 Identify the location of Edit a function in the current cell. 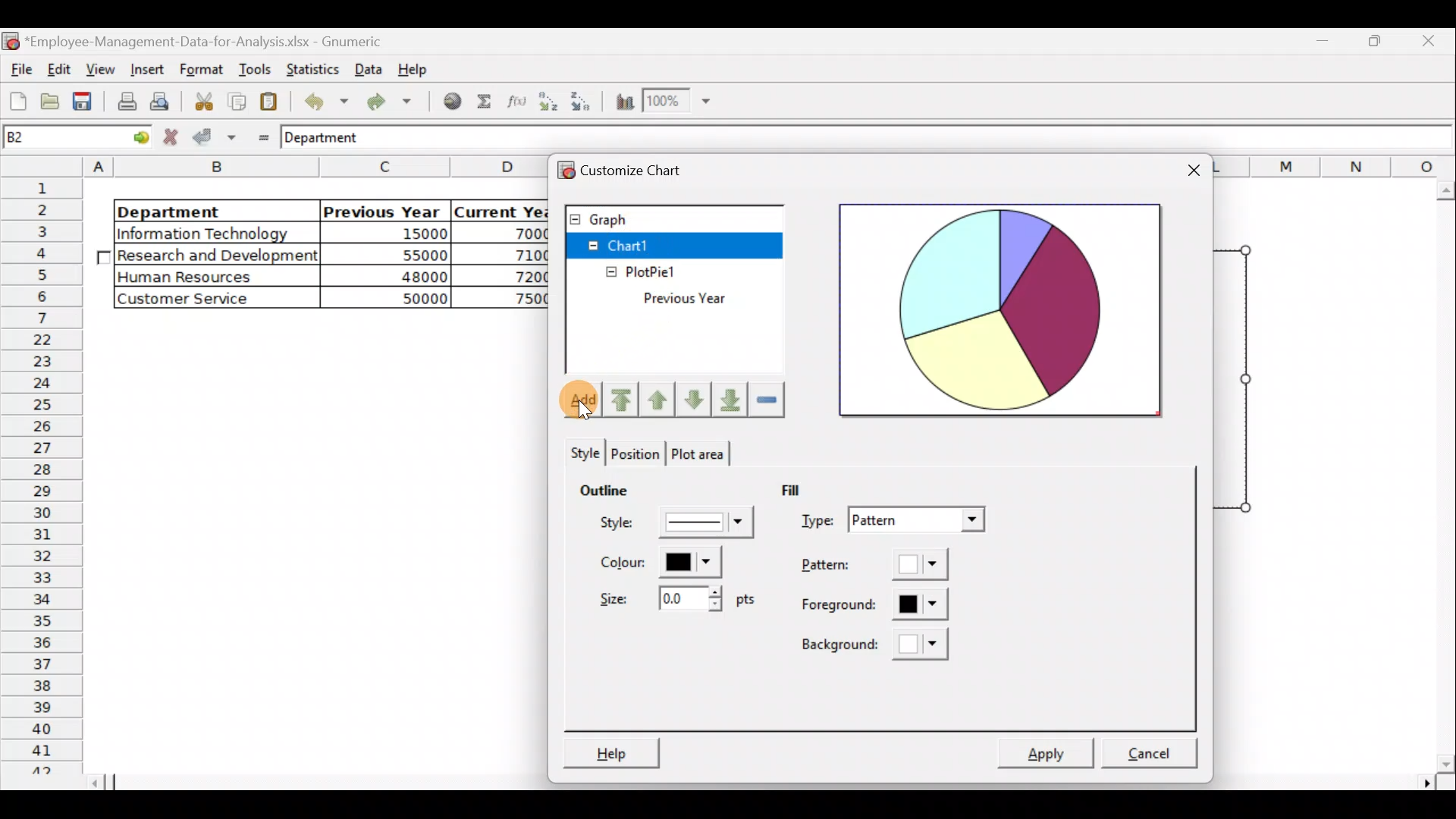
(516, 101).